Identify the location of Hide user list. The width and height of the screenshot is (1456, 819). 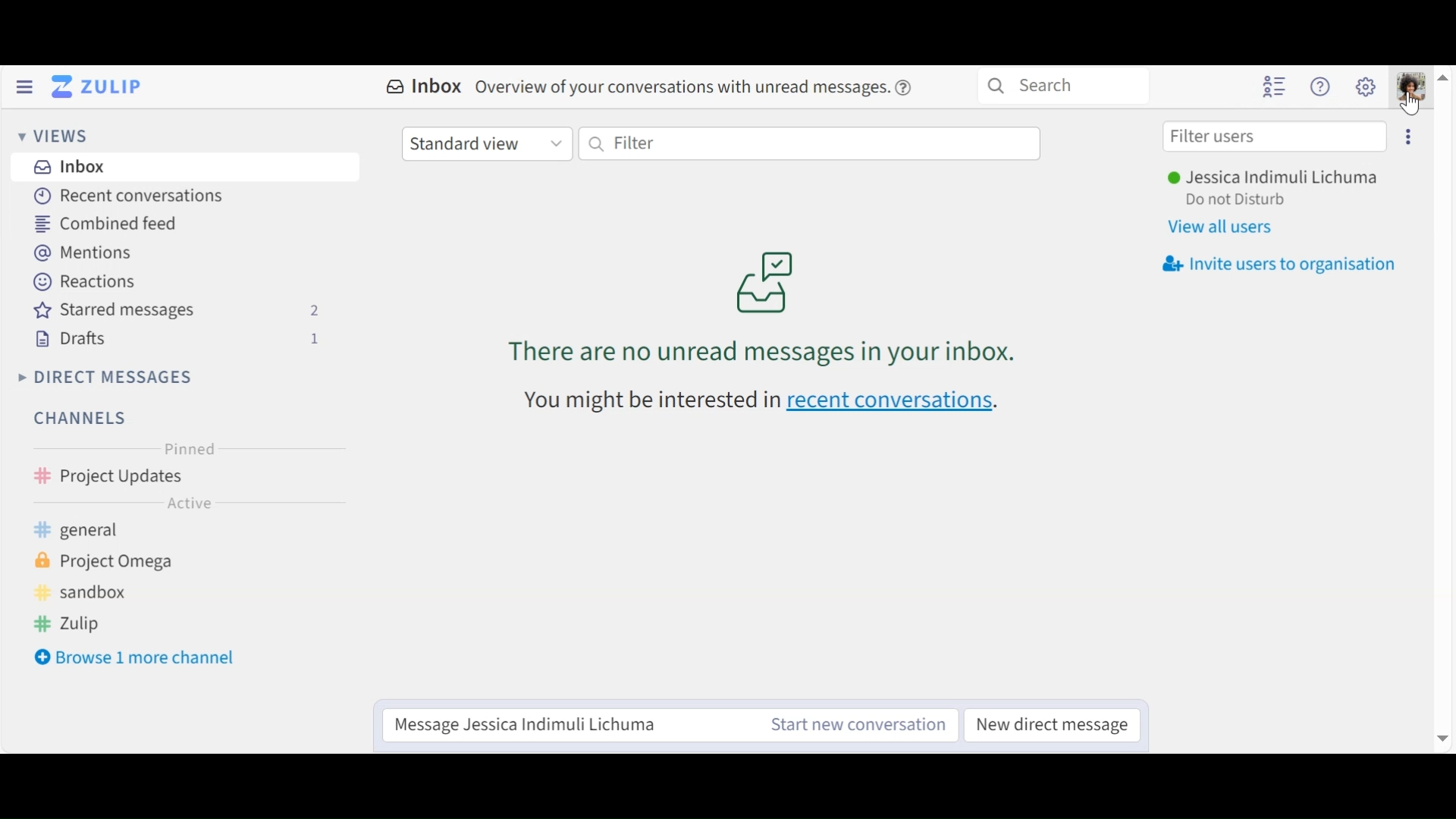
(1275, 87).